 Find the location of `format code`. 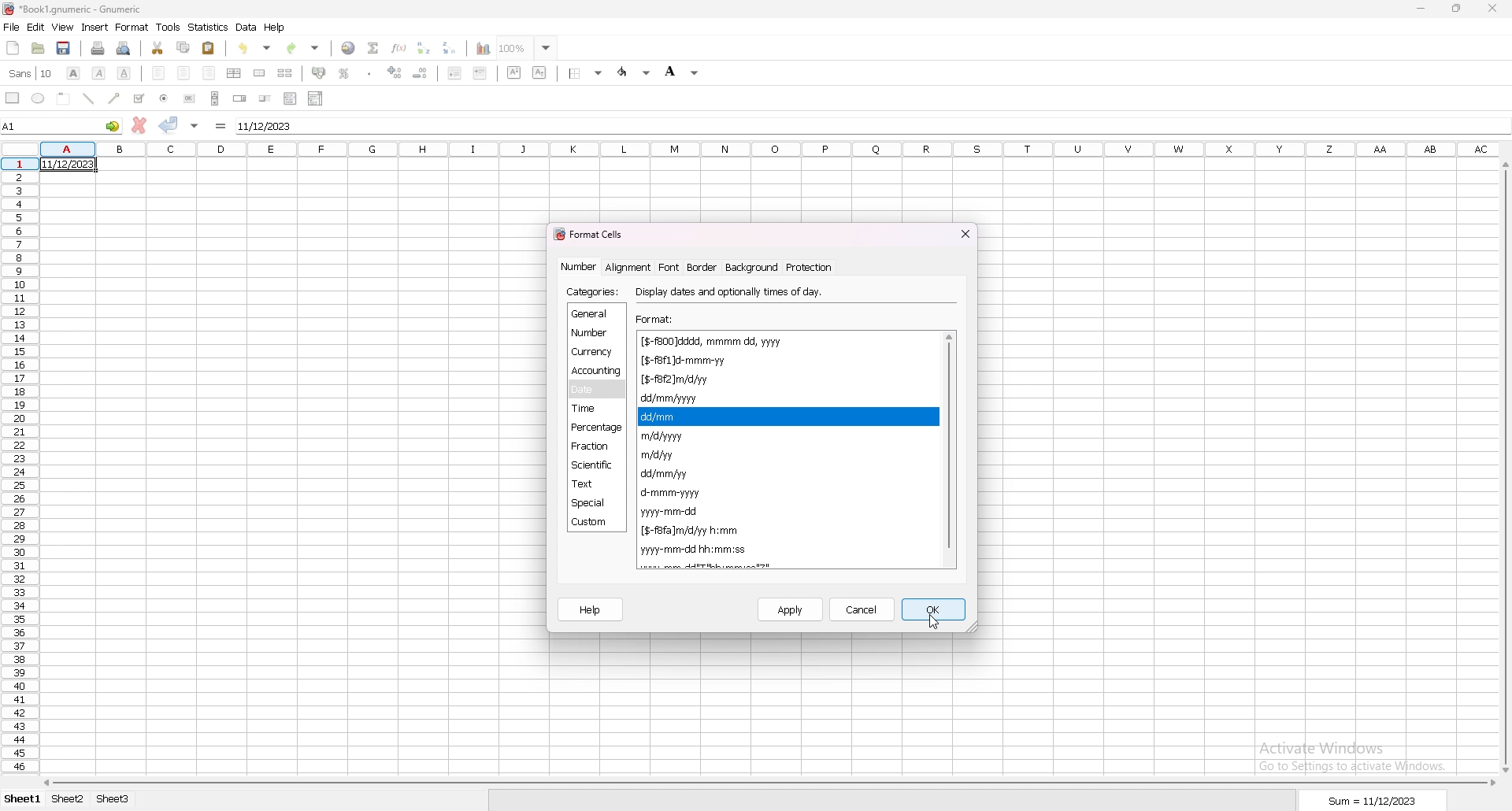

format code is located at coordinates (665, 566).